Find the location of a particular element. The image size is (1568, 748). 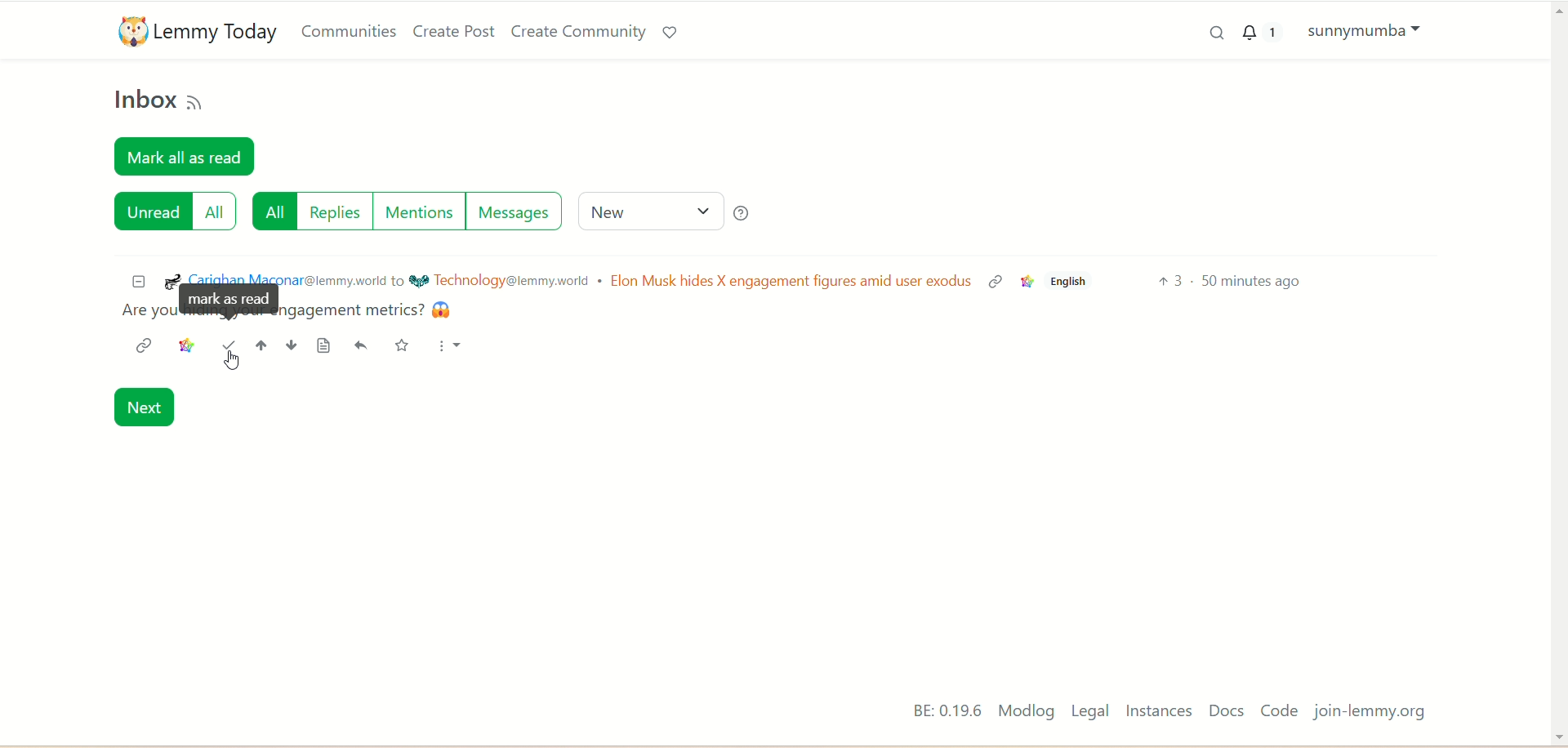

save is located at coordinates (409, 345).